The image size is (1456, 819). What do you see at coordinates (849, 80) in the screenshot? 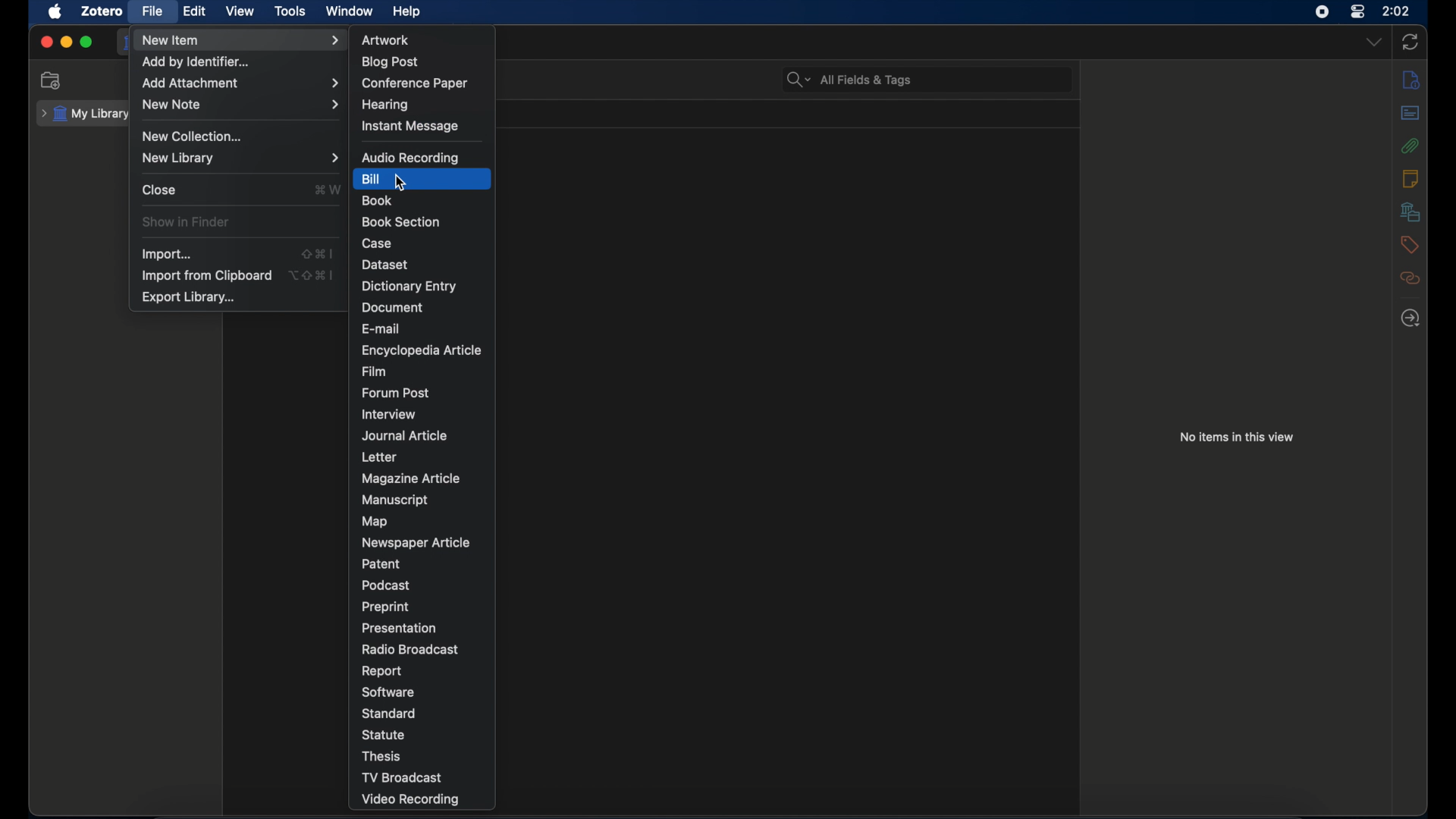
I see `search` at bounding box center [849, 80].